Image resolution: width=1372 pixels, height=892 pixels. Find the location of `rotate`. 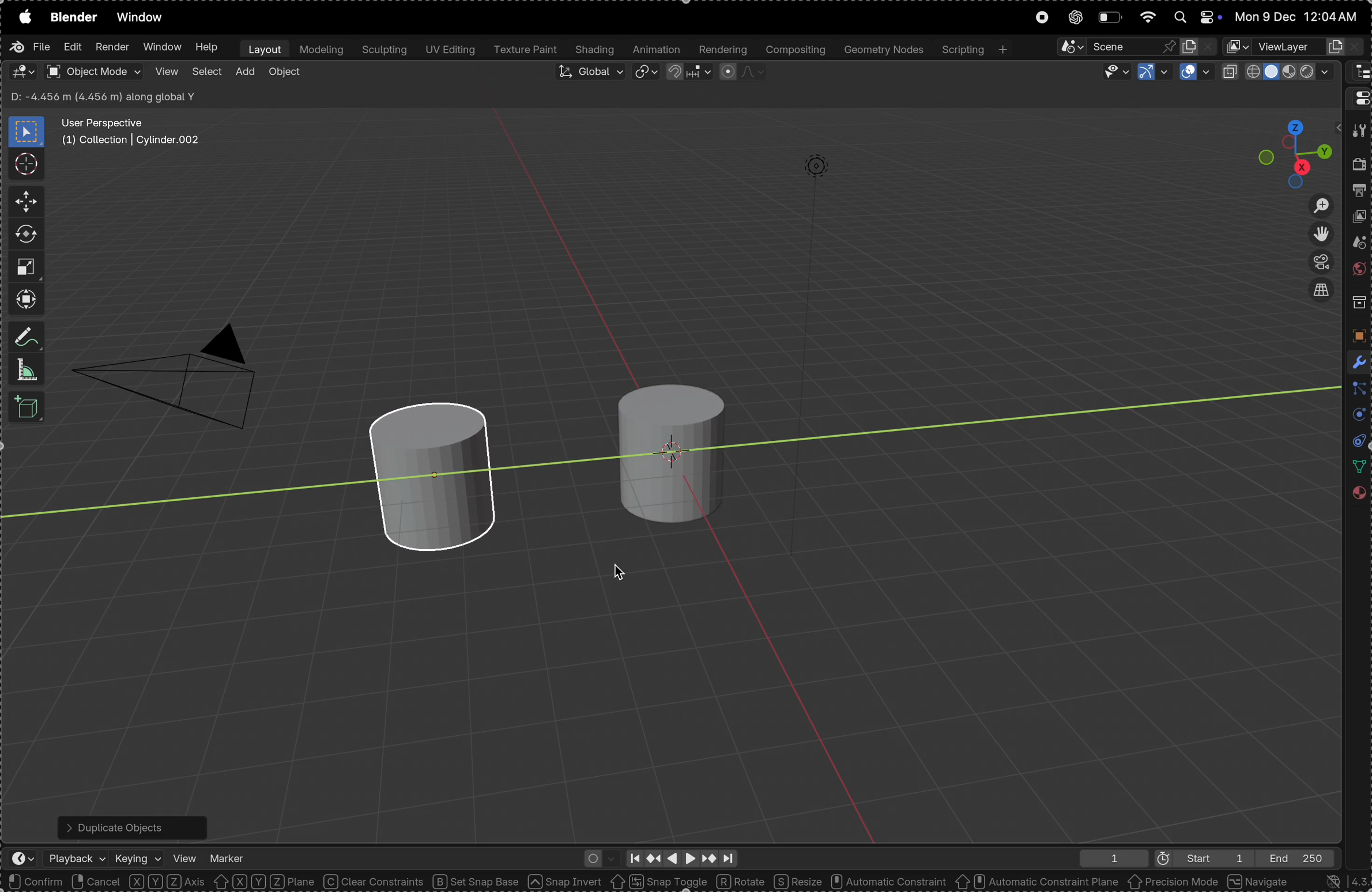

rotate is located at coordinates (26, 235).